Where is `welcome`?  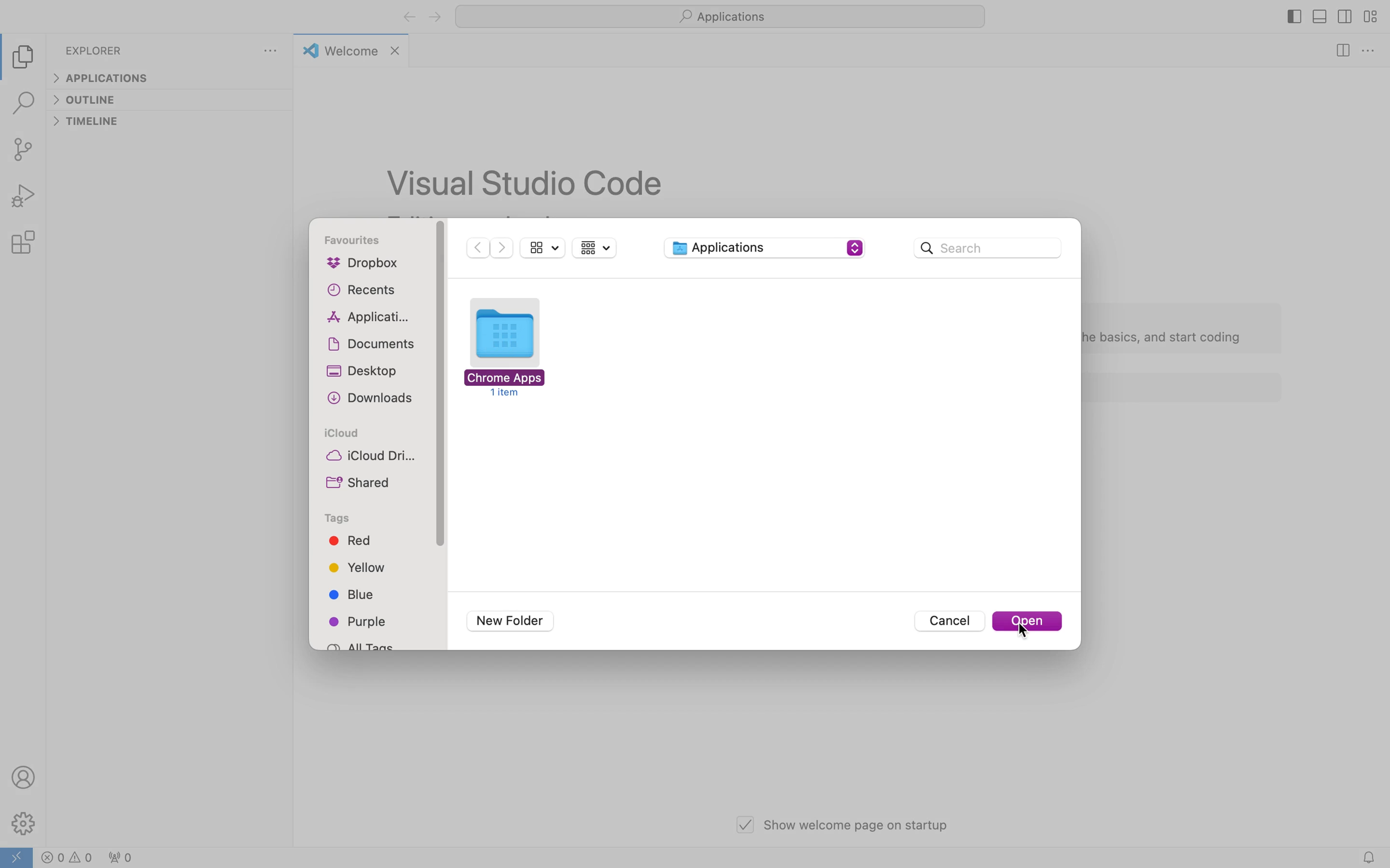 welcome is located at coordinates (352, 50).